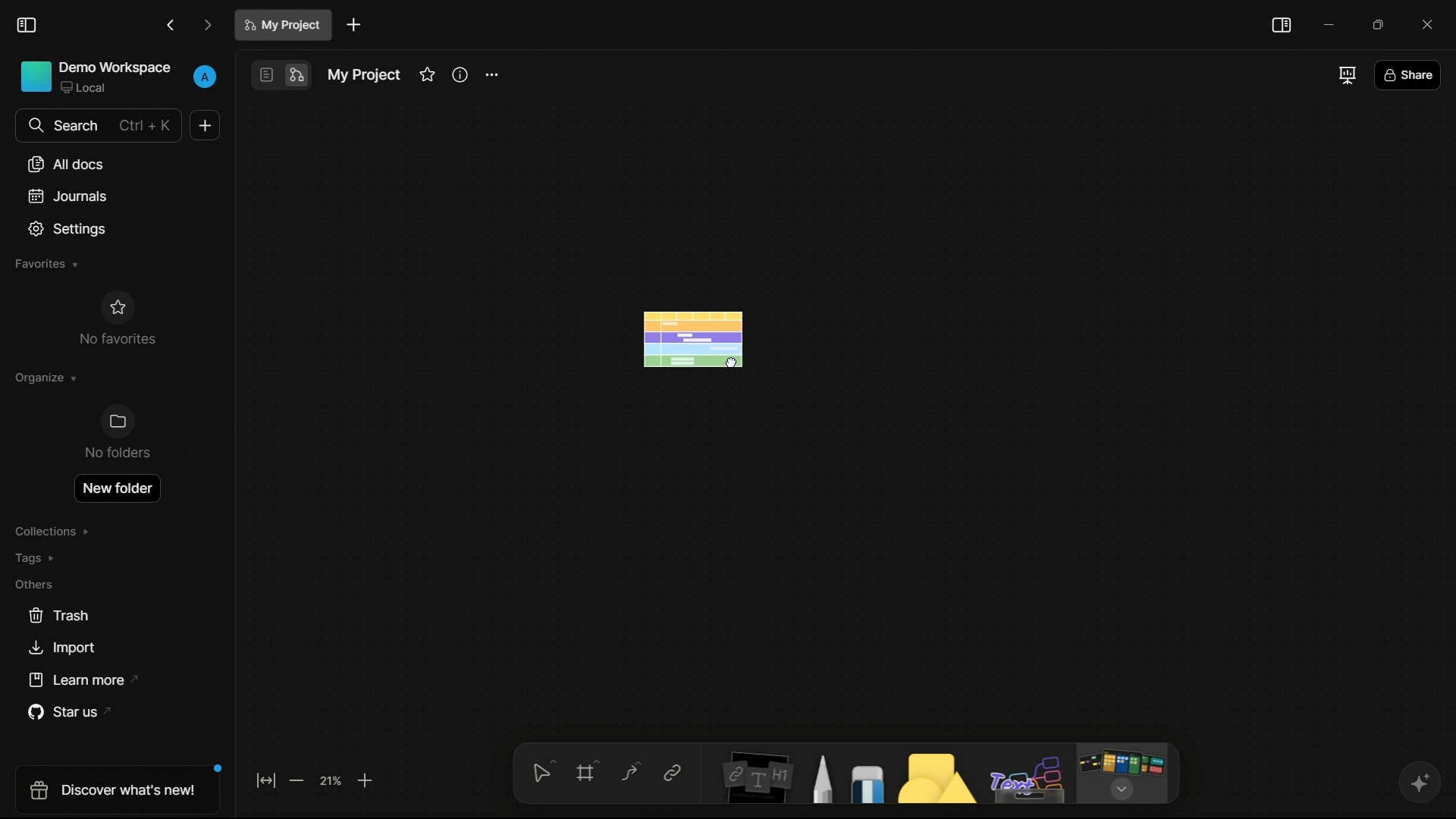 This screenshot has width=1456, height=819. I want to click on share, so click(1407, 74).